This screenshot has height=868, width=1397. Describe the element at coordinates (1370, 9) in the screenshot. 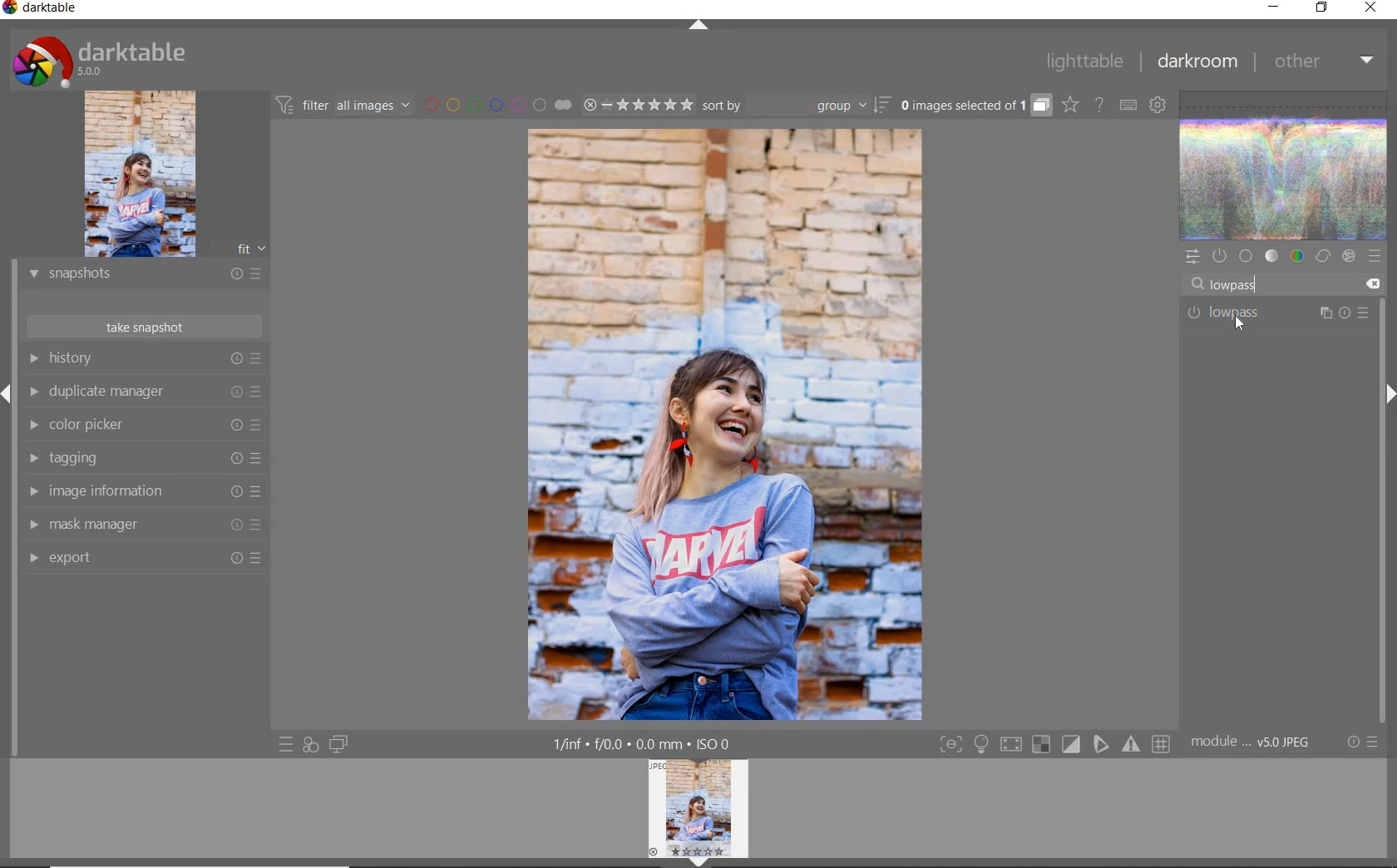

I see `close` at that location.